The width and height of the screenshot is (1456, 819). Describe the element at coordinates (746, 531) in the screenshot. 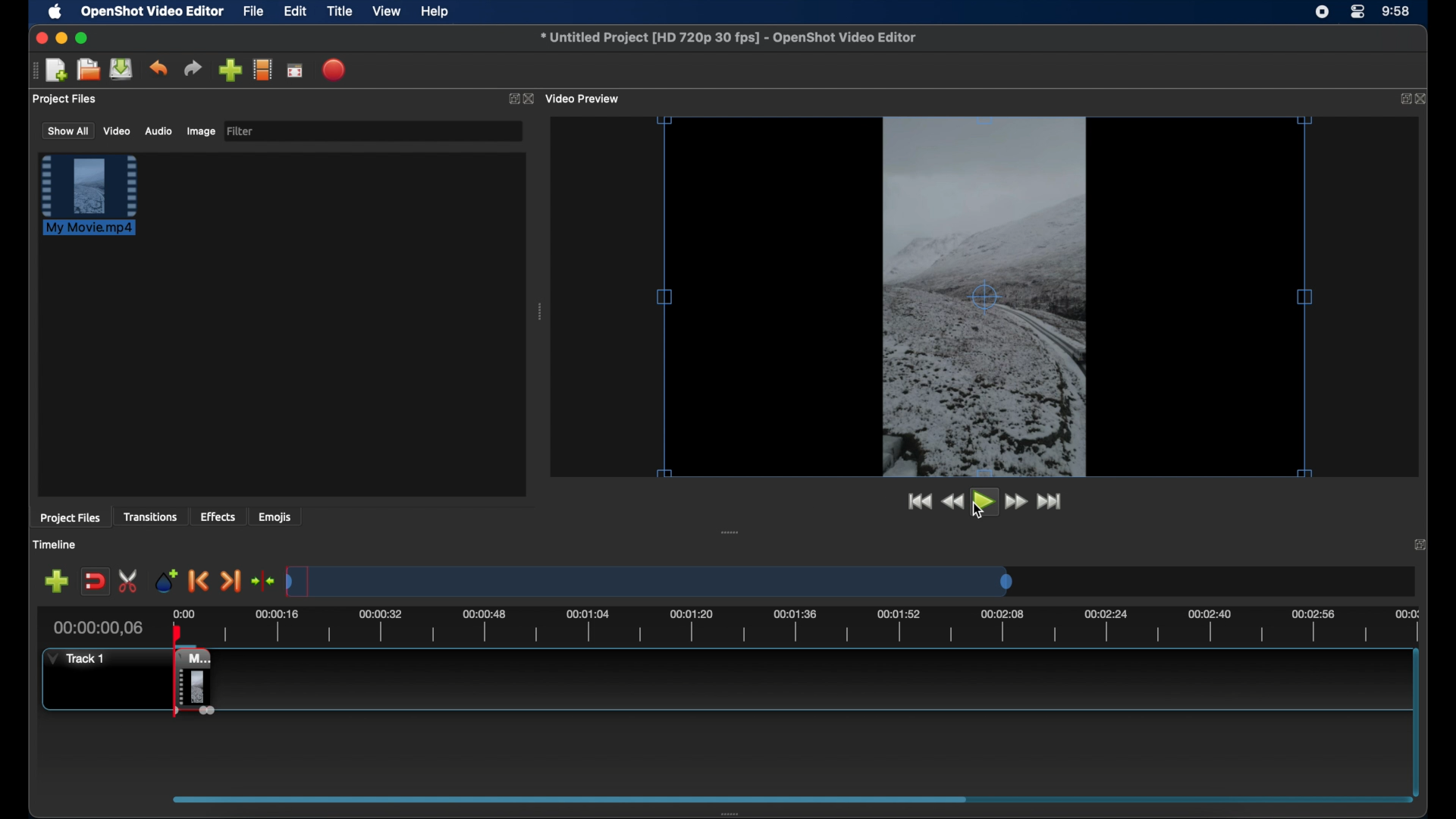

I see `center to left` at that location.